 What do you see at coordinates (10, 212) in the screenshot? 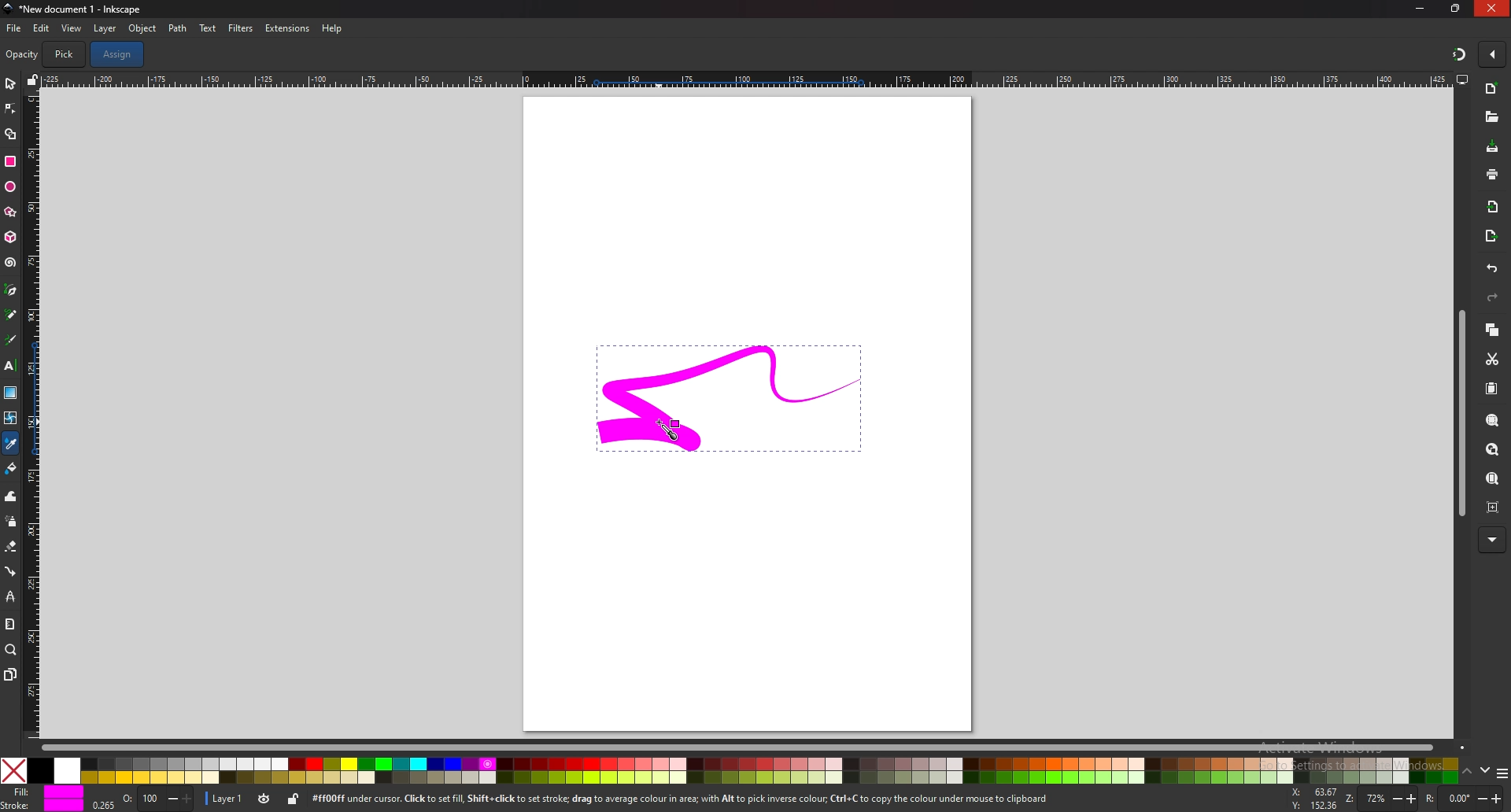
I see `stars and polygons` at bounding box center [10, 212].